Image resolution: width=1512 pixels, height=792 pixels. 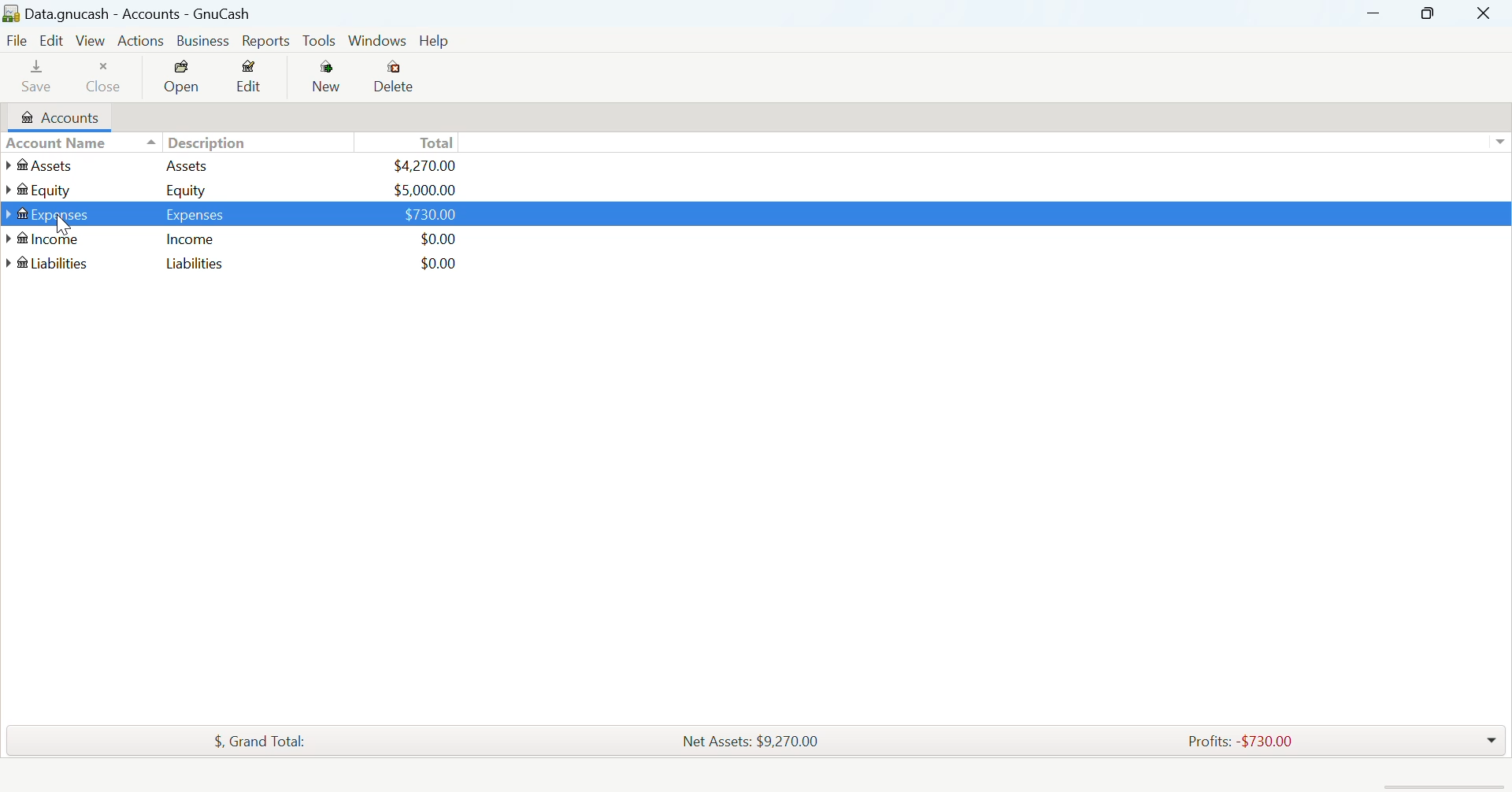 I want to click on Help, so click(x=436, y=40).